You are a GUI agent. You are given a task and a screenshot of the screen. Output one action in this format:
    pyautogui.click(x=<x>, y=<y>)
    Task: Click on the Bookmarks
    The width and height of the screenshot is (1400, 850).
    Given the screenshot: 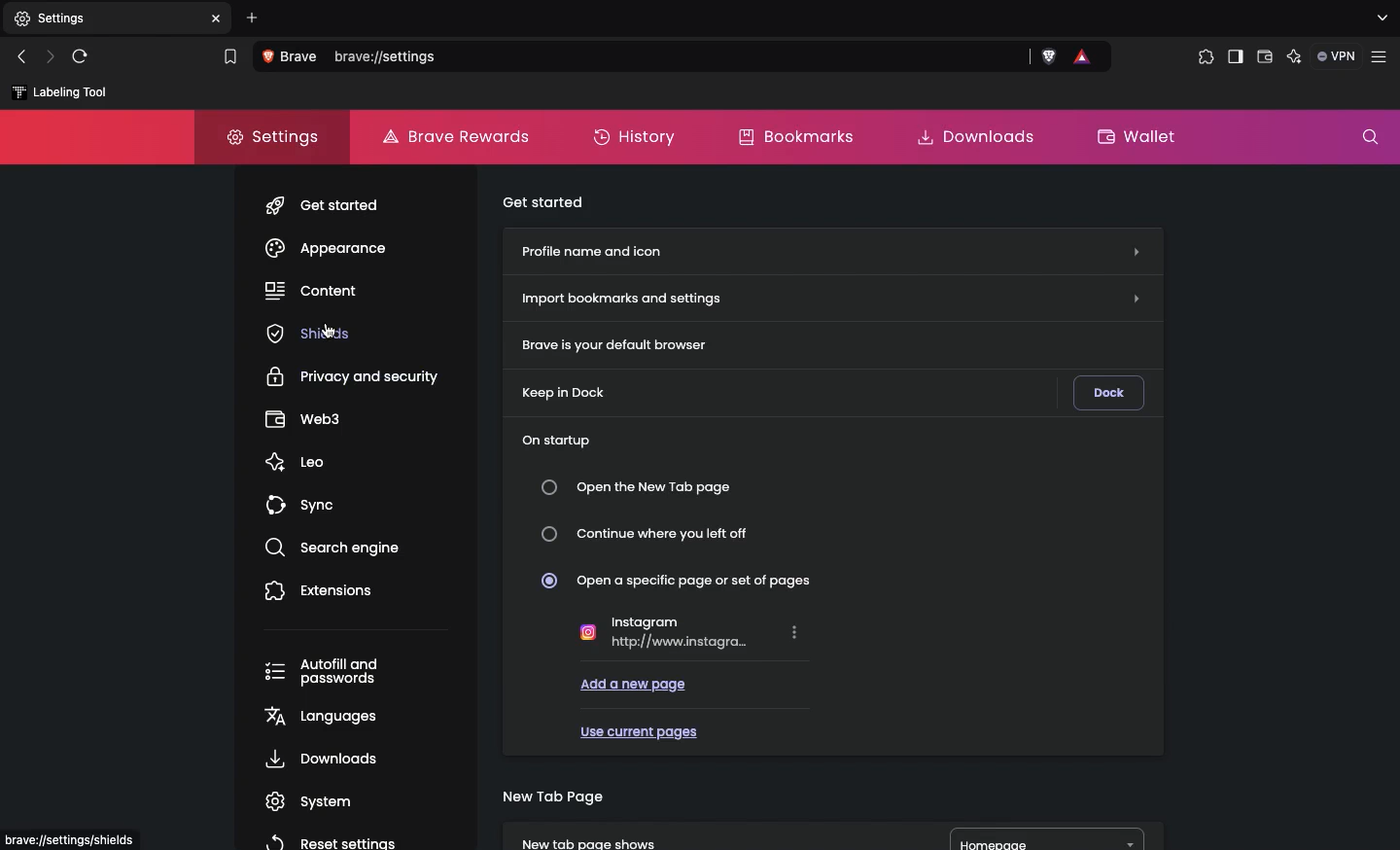 What is the action you would take?
    pyautogui.click(x=802, y=135)
    